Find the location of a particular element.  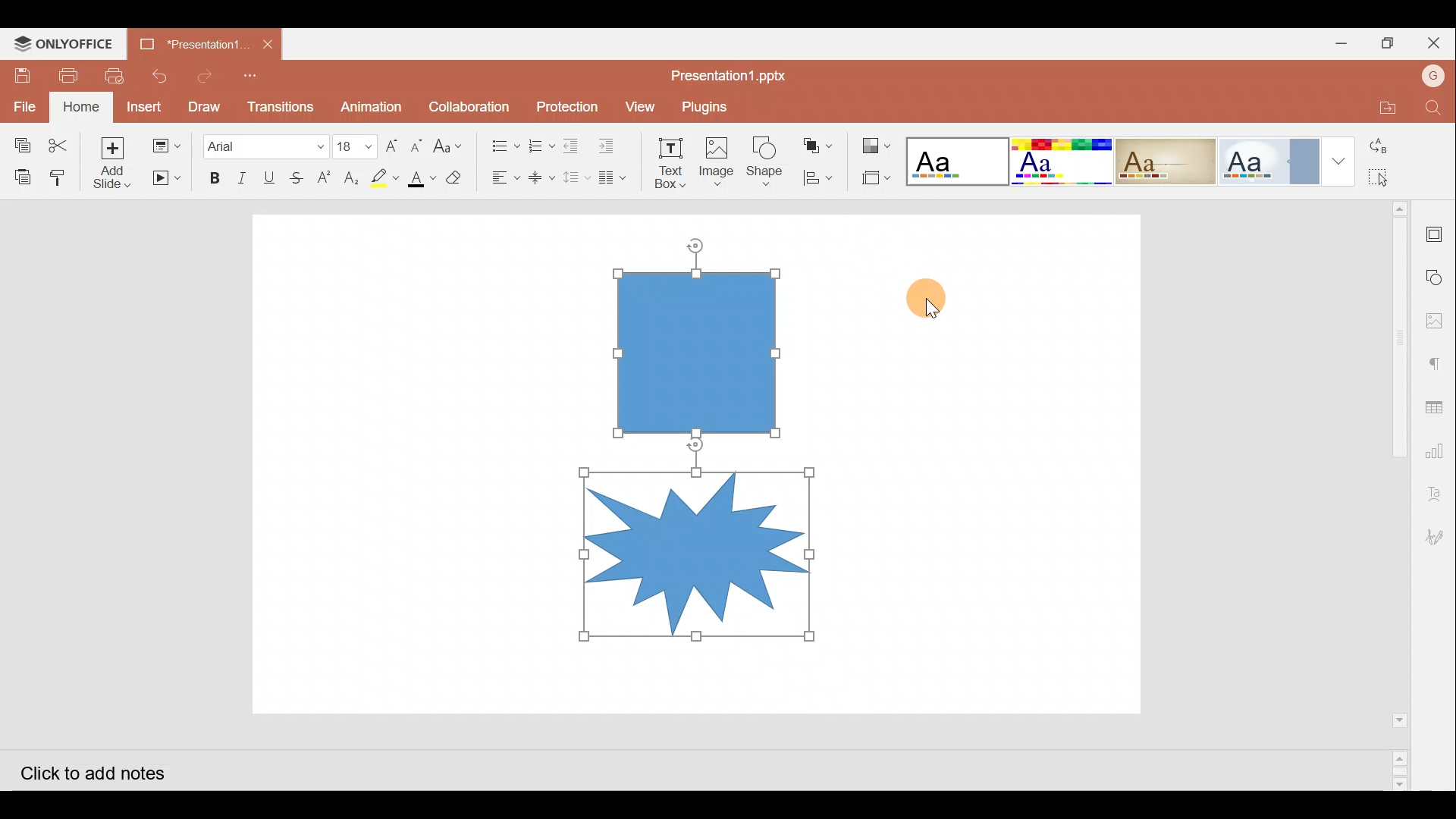

Collaboration is located at coordinates (469, 105).